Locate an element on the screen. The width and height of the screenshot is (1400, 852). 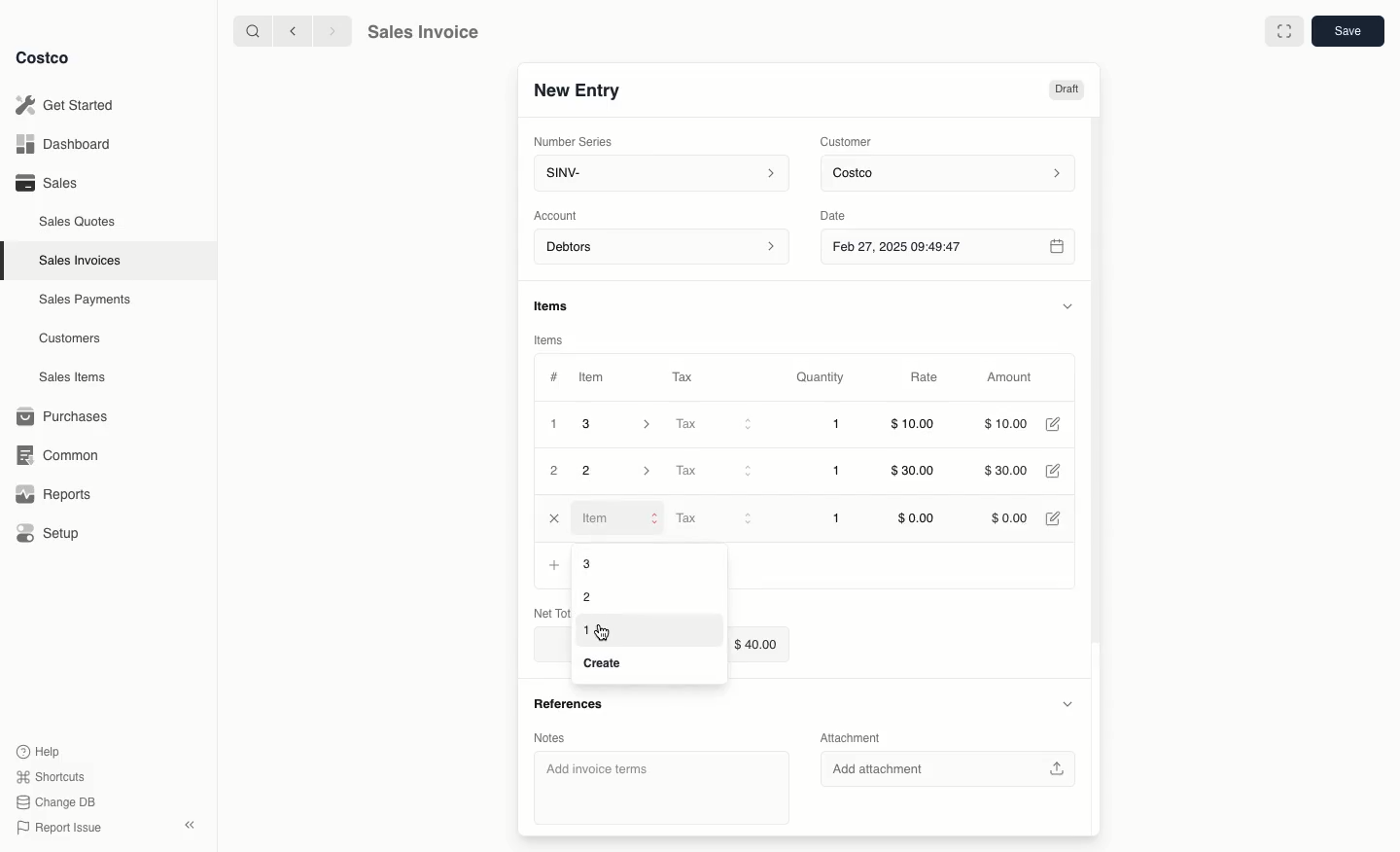
Date is located at coordinates (849, 213).